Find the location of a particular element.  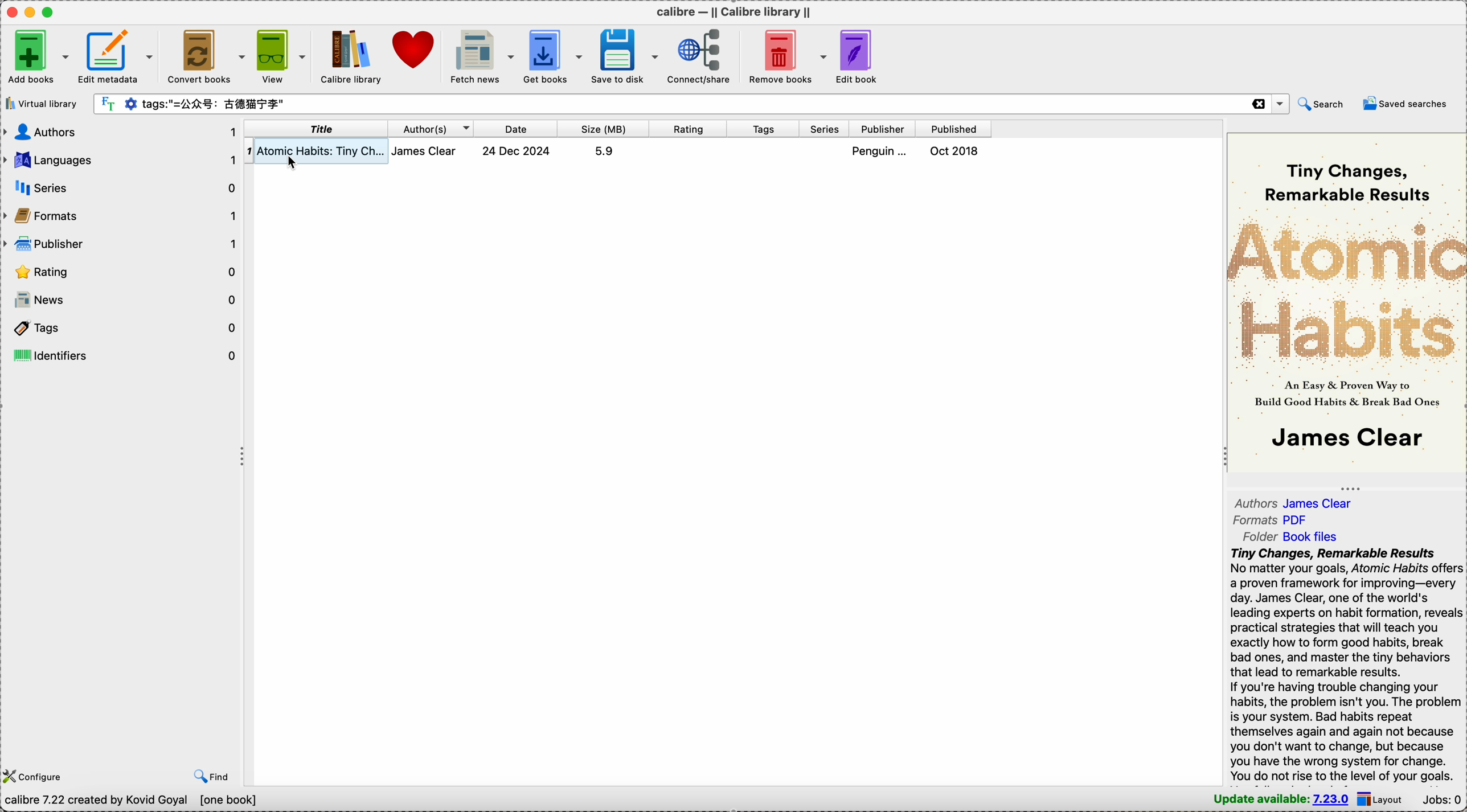

update available is located at coordinates (1280, 799).